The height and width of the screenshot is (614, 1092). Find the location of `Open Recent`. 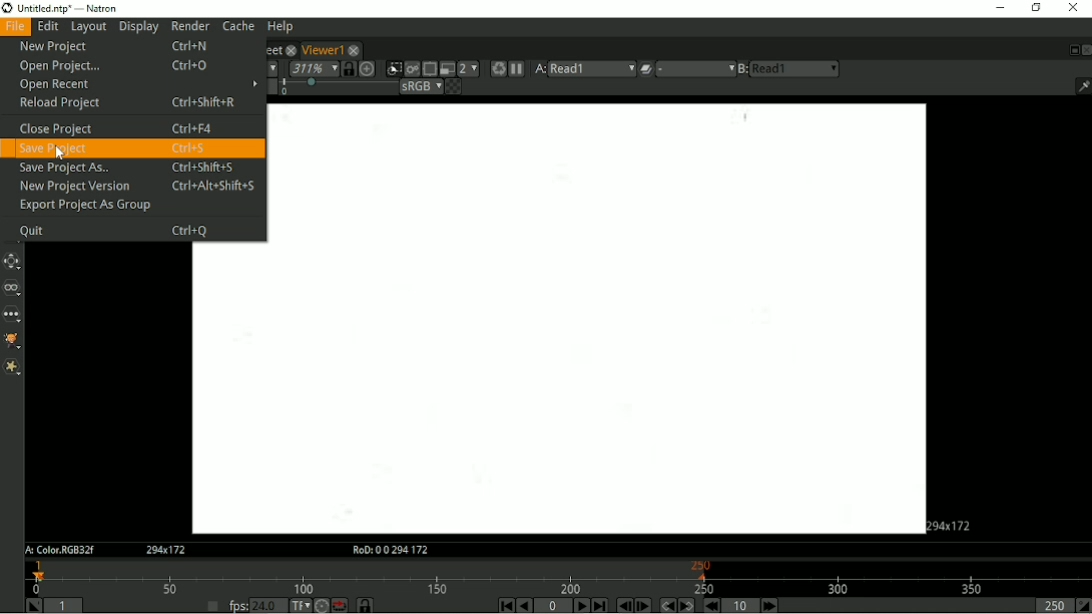

Open Recent is located at coordinates (135, 85).